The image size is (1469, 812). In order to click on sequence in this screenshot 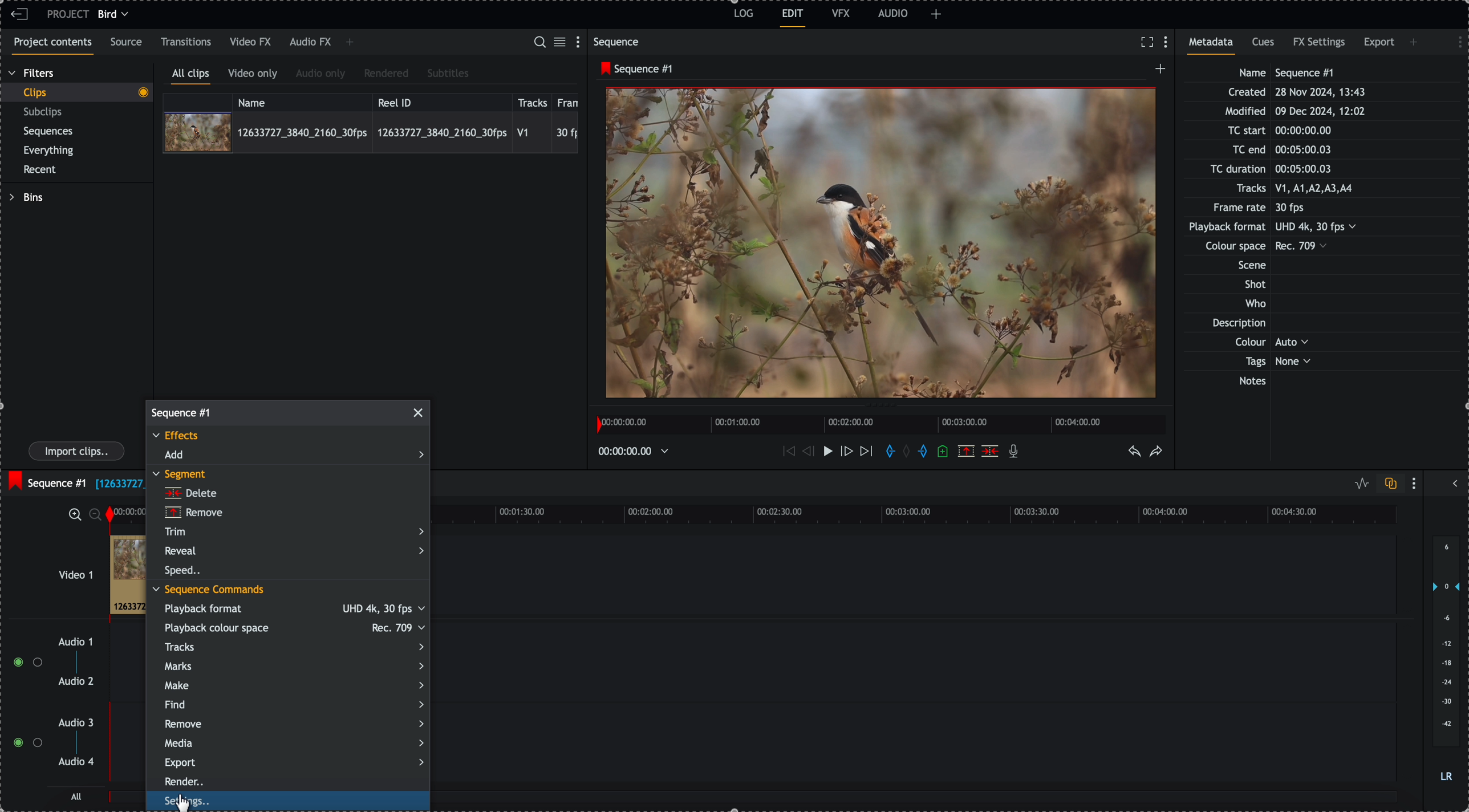, I will do `click(619, 42)`.